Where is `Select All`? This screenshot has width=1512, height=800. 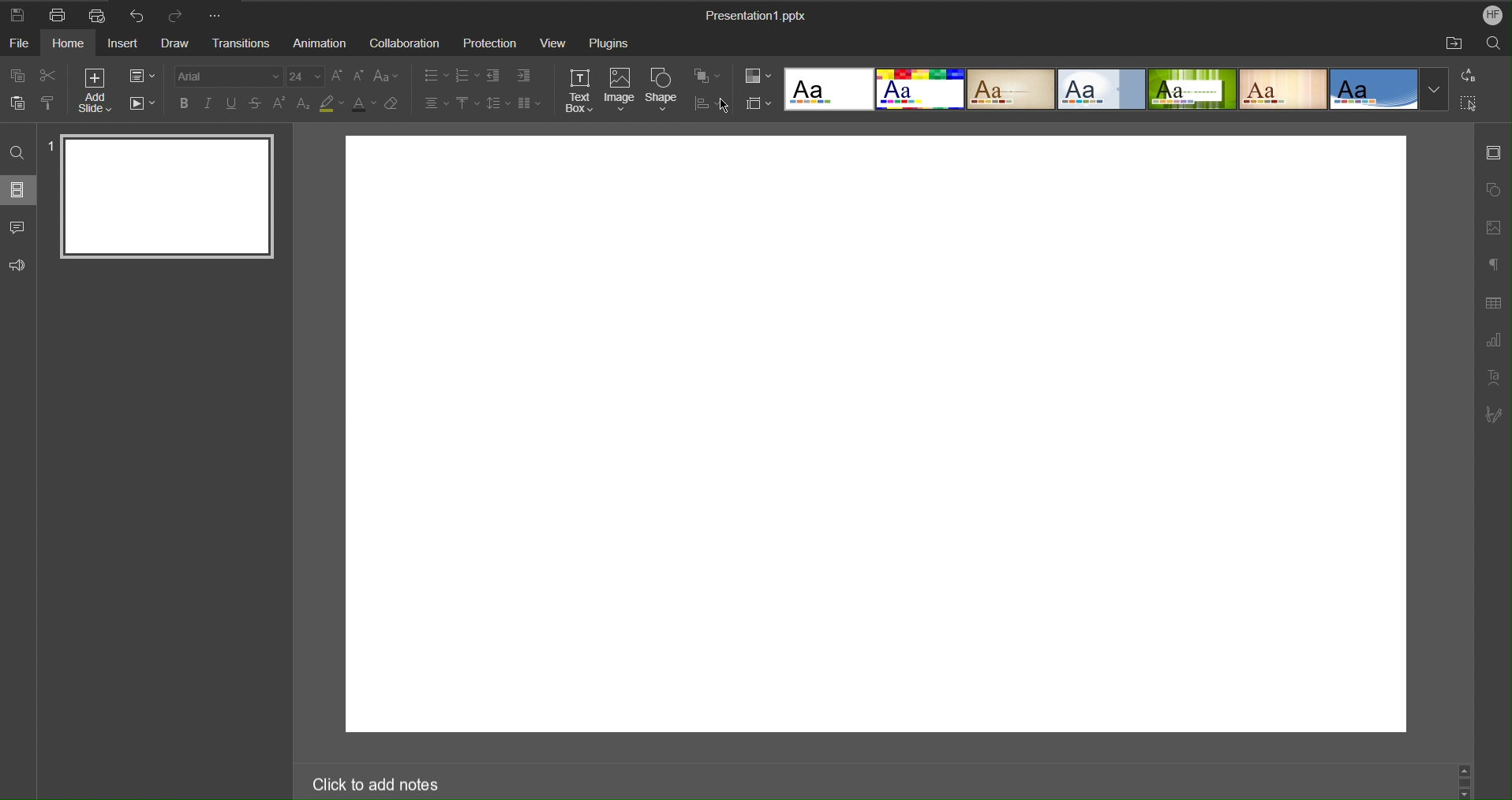 Select All is located at coordinates (1466, 103).